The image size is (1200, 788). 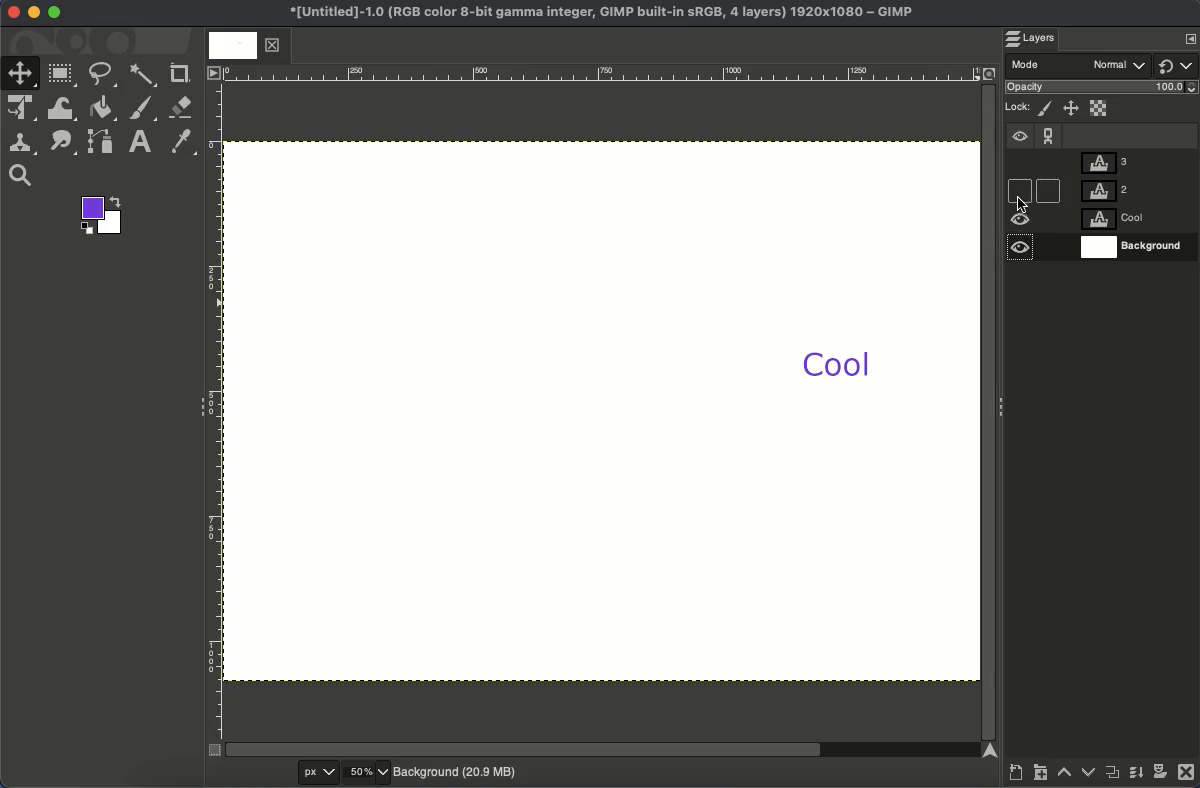 What do you see at coordinates (1020, 251) in the screenshot?
I see `Visible` at bounding box center [1020, 251].